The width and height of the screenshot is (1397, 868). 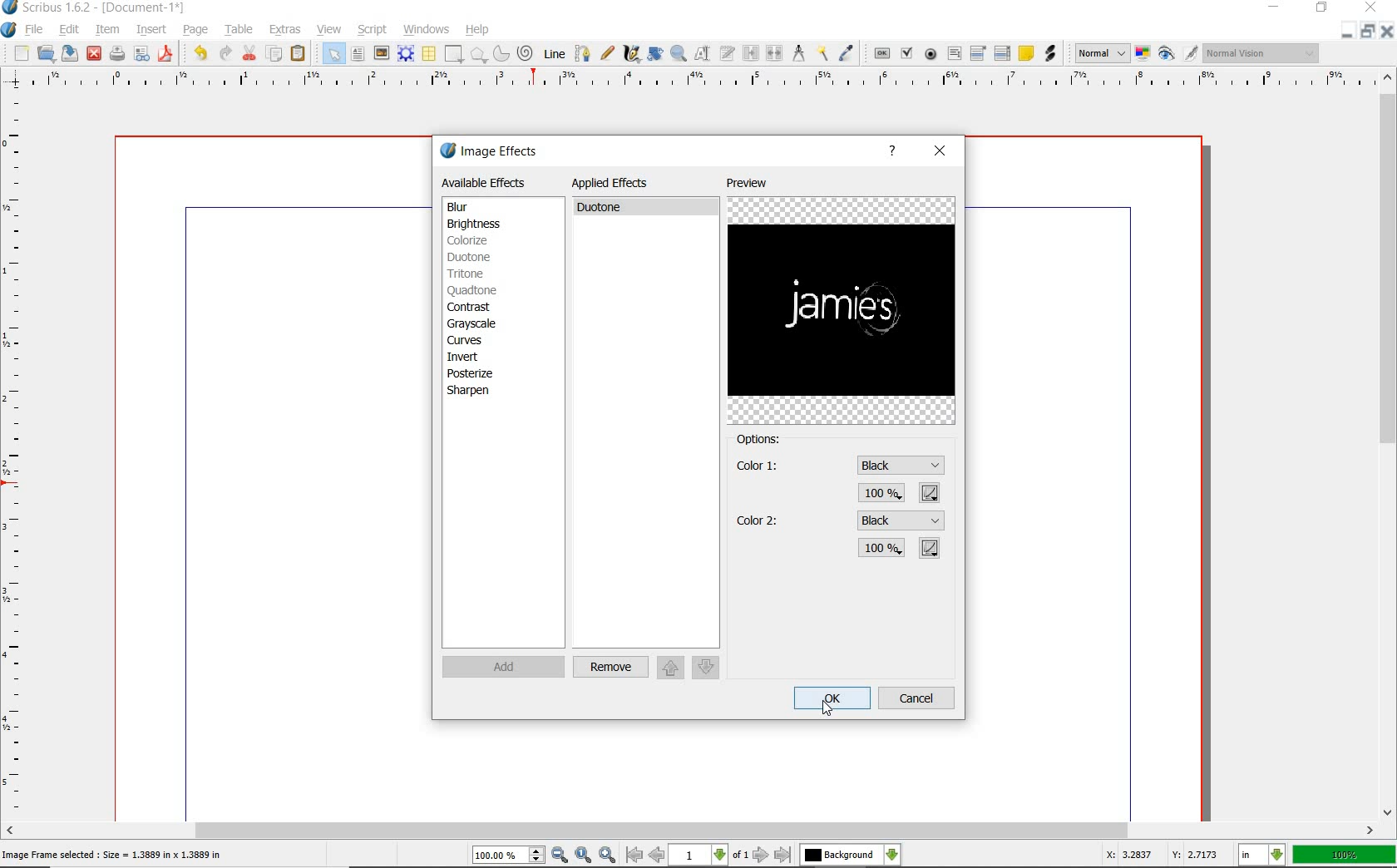 I want to click on PASTE, so click(x=301, y=53).